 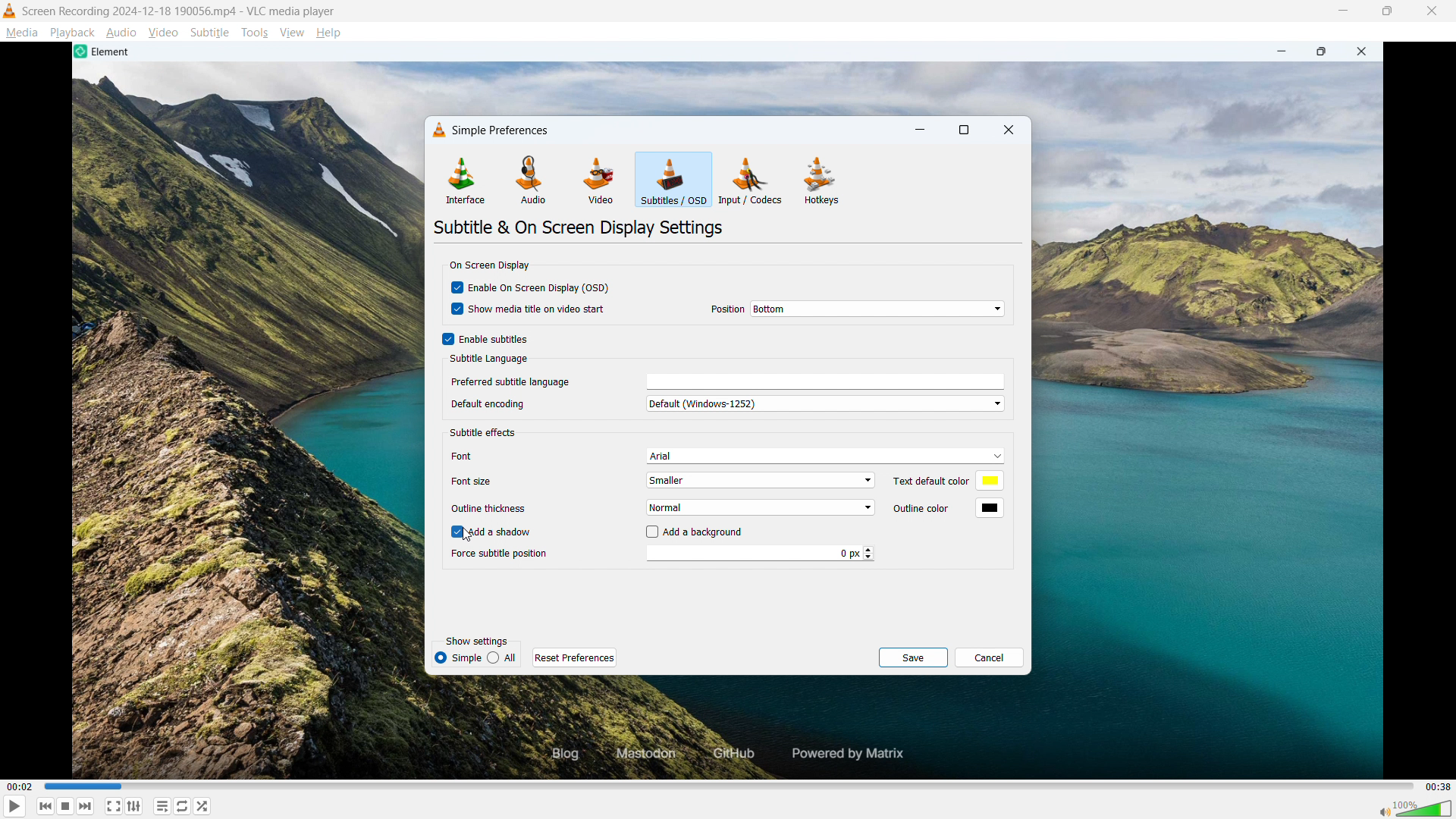 I want to click on Video , so click(x=164, y=33).